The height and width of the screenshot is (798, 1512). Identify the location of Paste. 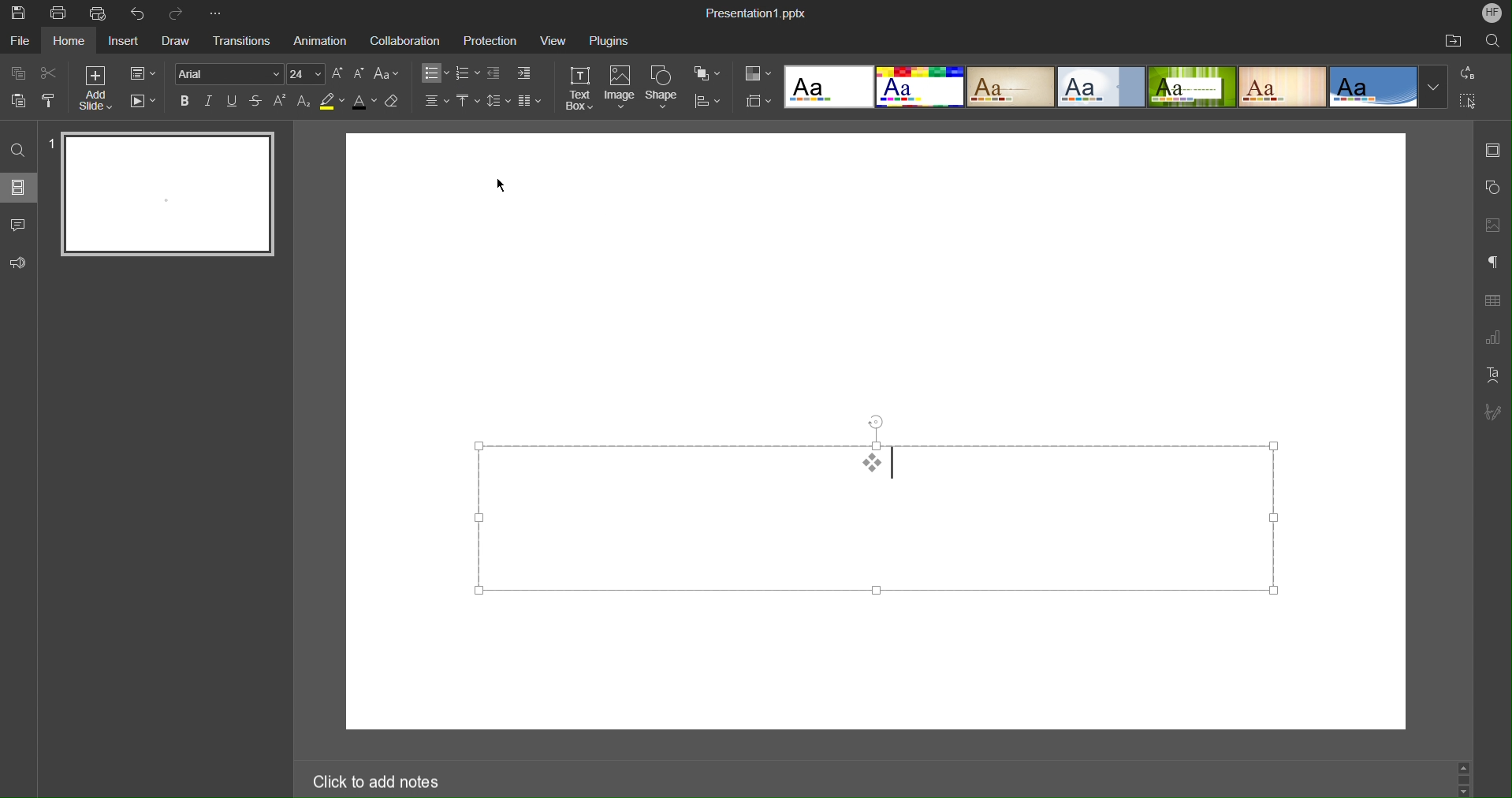
(16, 101).